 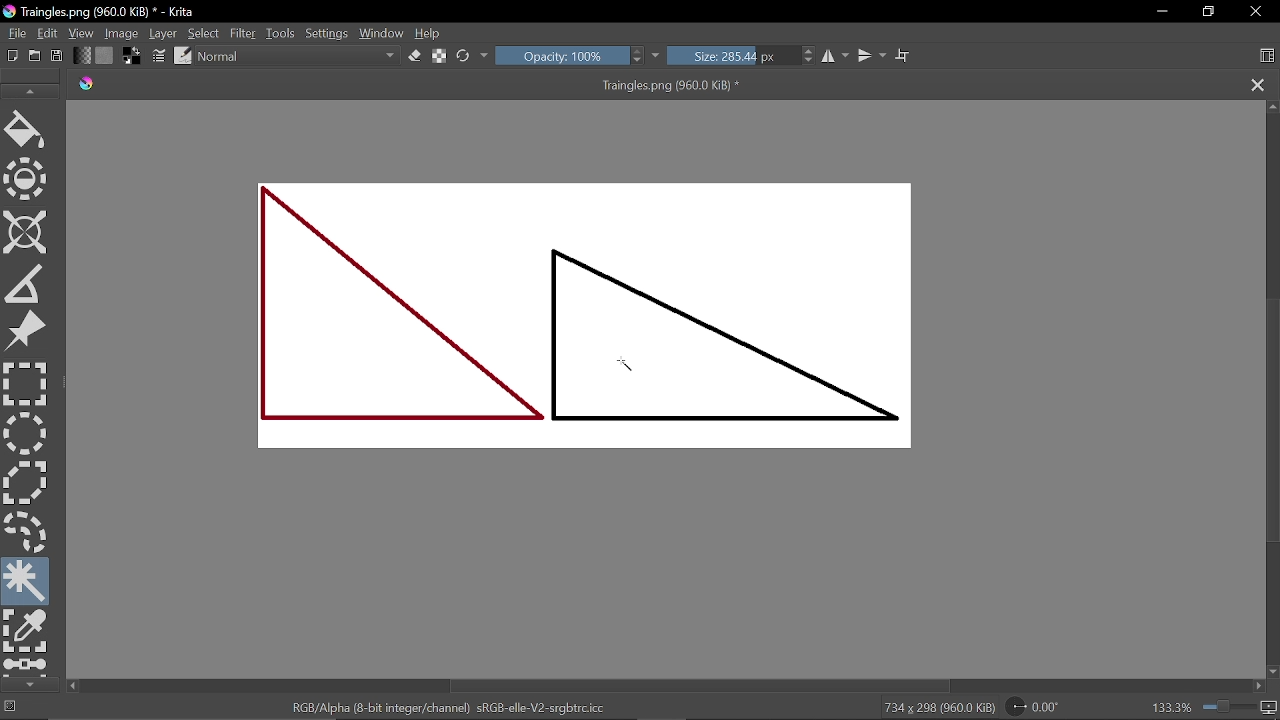 I want to click on logo, so click(x=87, y=85).